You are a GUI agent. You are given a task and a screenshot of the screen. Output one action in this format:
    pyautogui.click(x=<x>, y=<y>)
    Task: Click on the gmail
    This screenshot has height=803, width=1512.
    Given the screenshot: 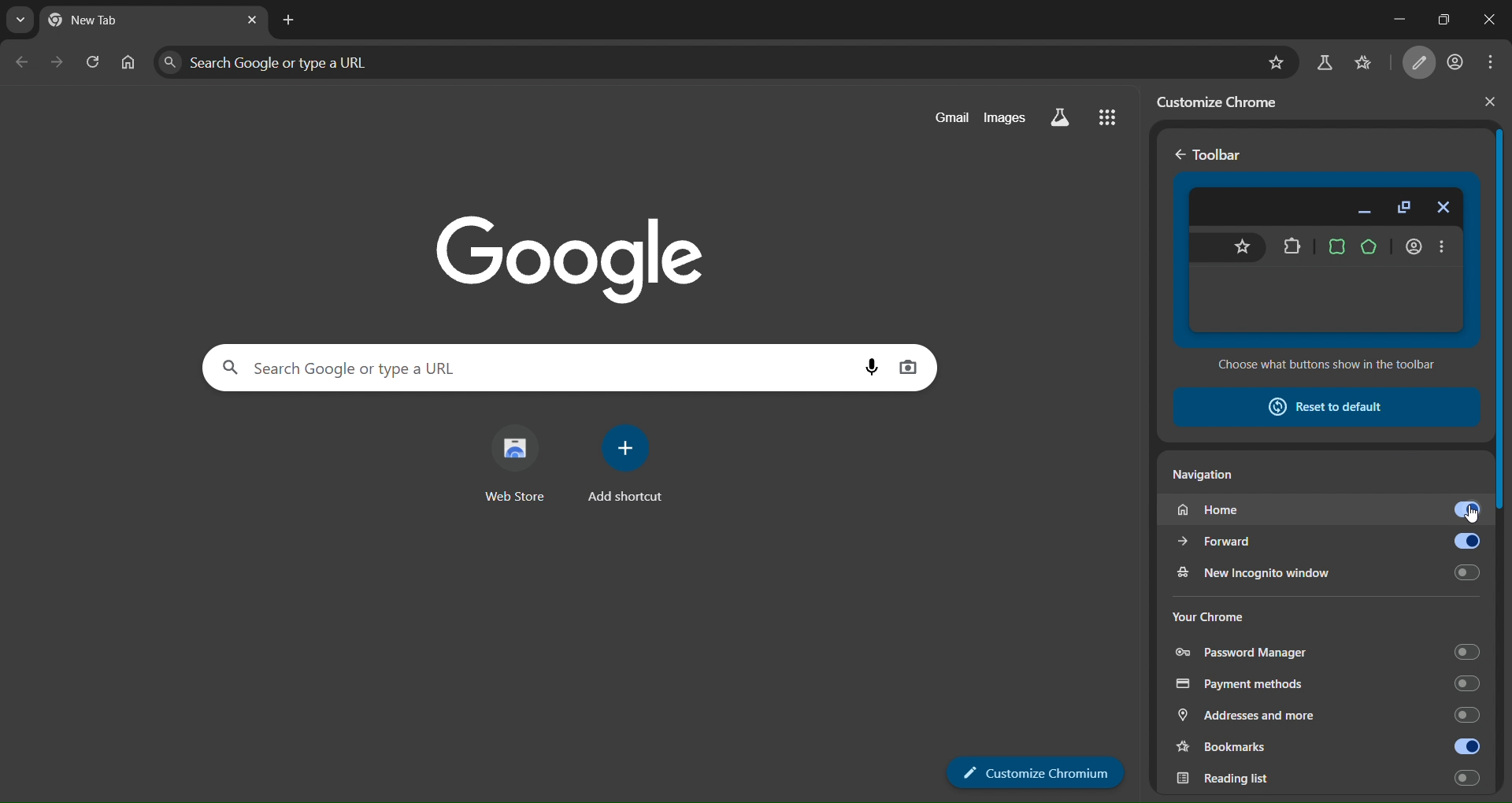 What is the action you would take?
    pyautogui.click(x=945, y=117)
    